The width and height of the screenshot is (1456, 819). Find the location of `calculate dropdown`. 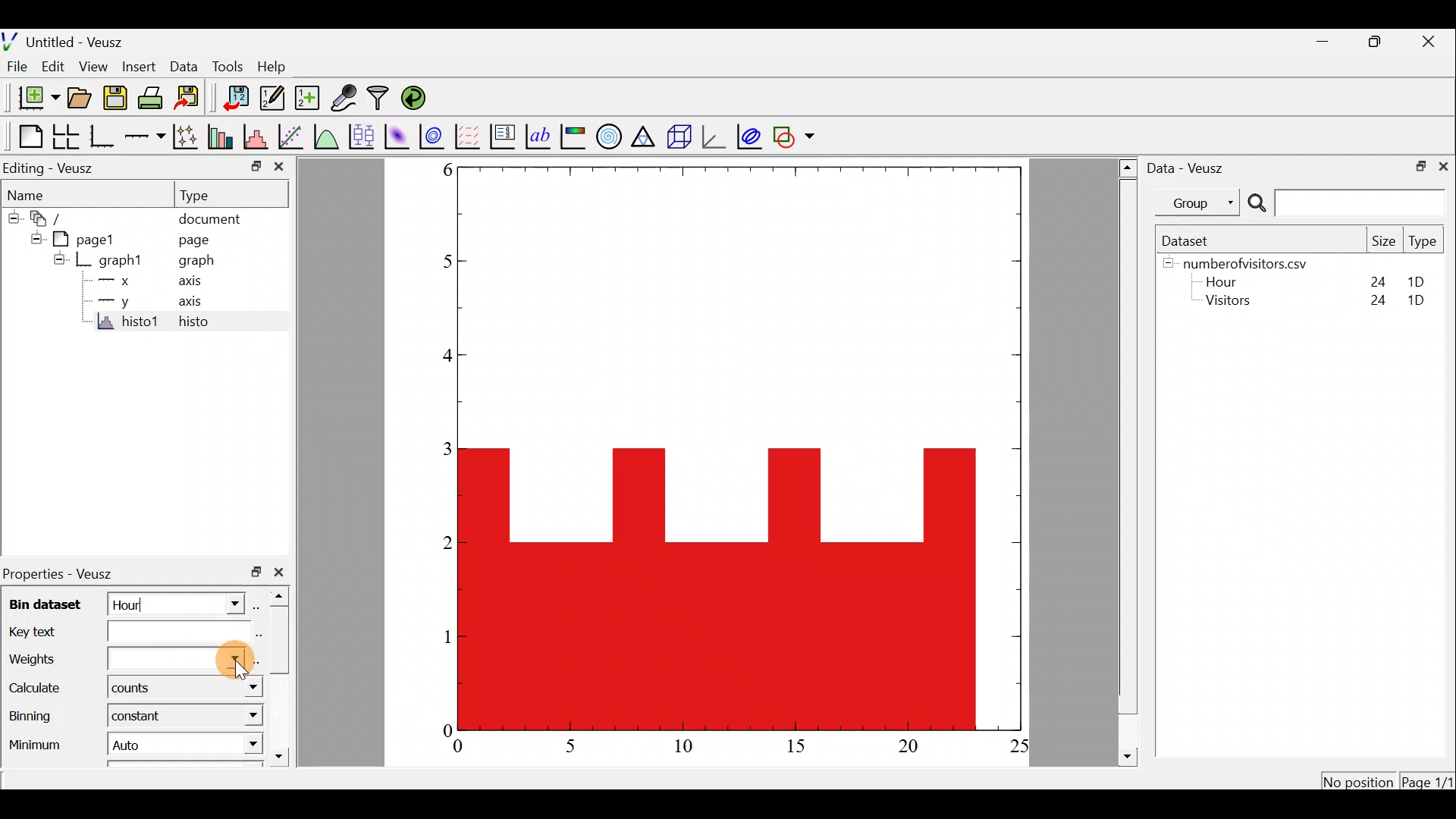

calculate dropdown is located at coordinates (240, 687).